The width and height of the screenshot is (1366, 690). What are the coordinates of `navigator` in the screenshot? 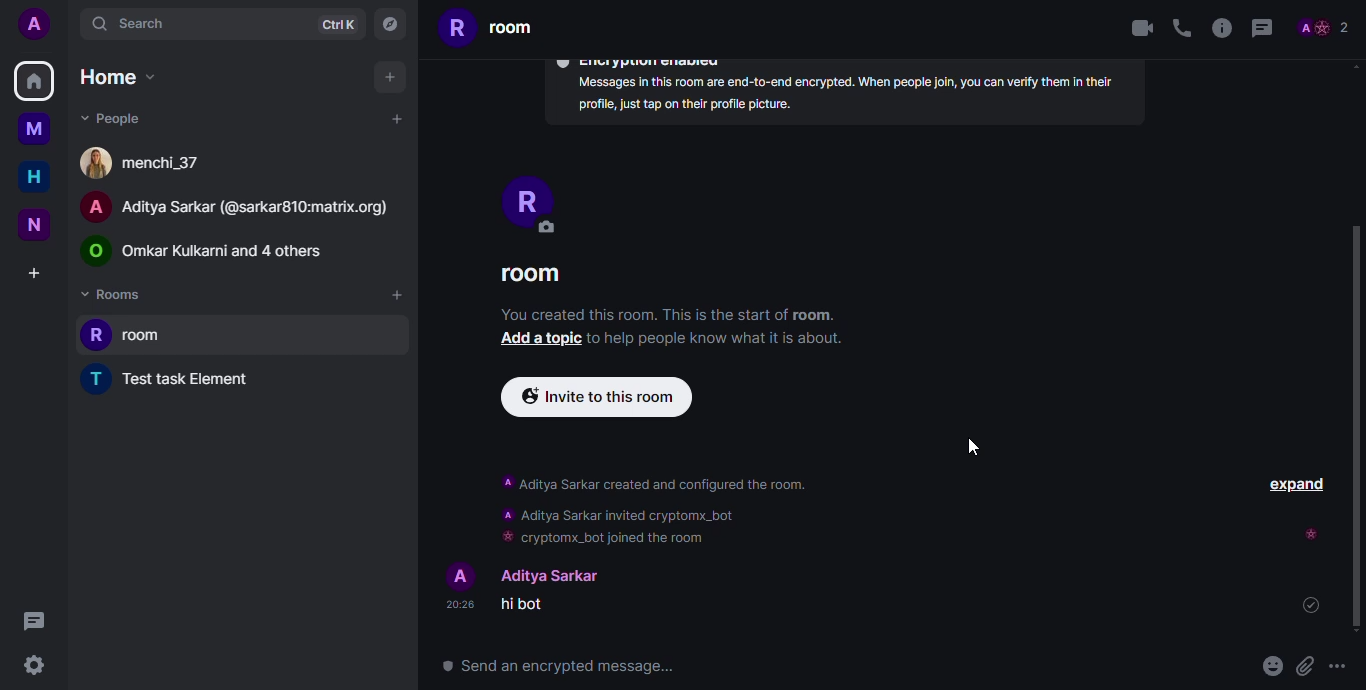 It's located at (389, 24).